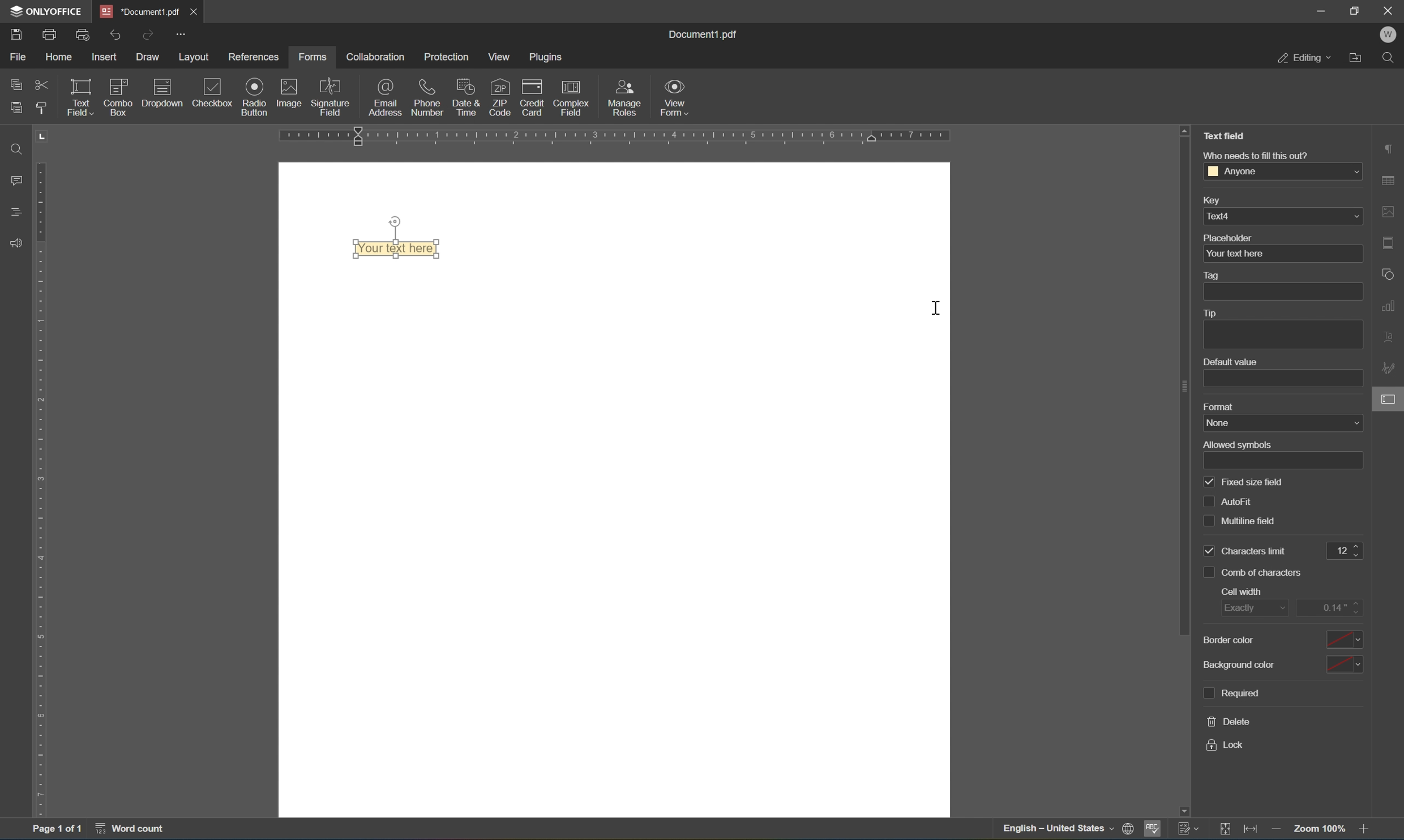  What do you see at coordinates (1281, 664) in the screenshot?
I see `background color` at bounding box center [1281, 664].